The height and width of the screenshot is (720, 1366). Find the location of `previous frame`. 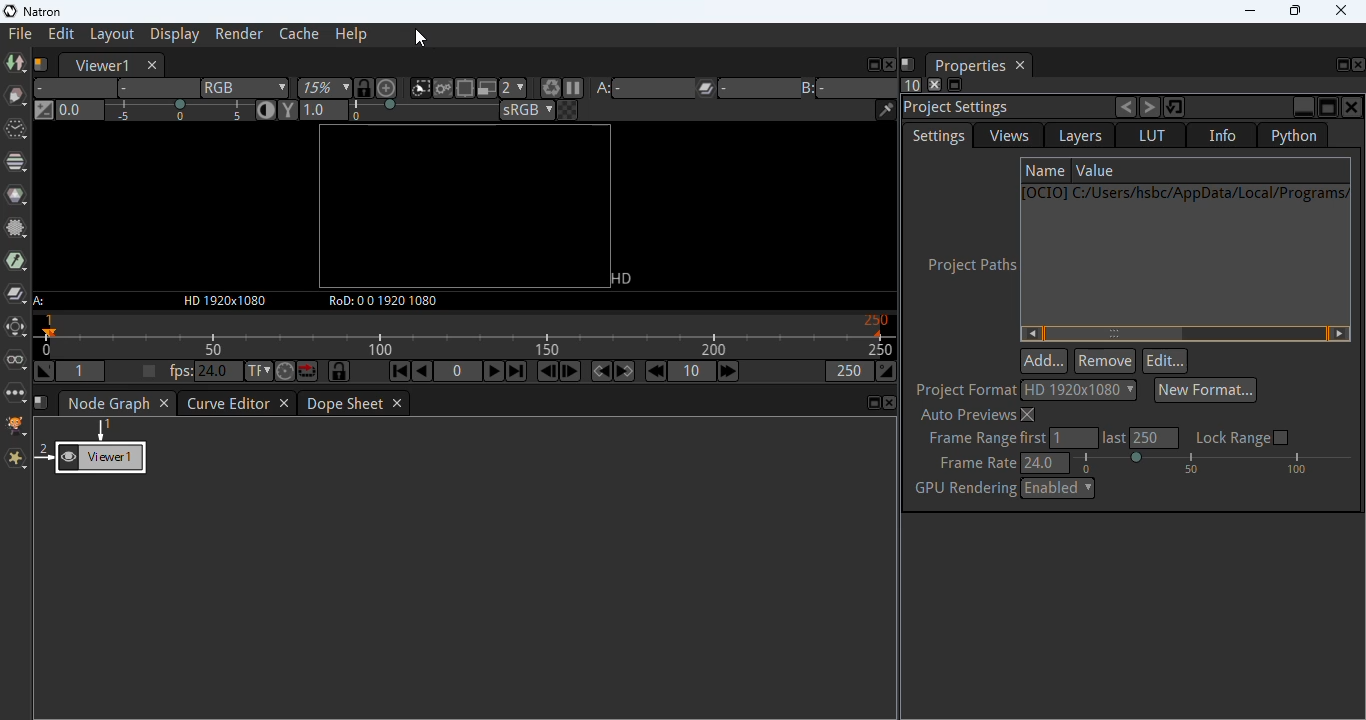

previous frame is located at coordinates (547, 372).